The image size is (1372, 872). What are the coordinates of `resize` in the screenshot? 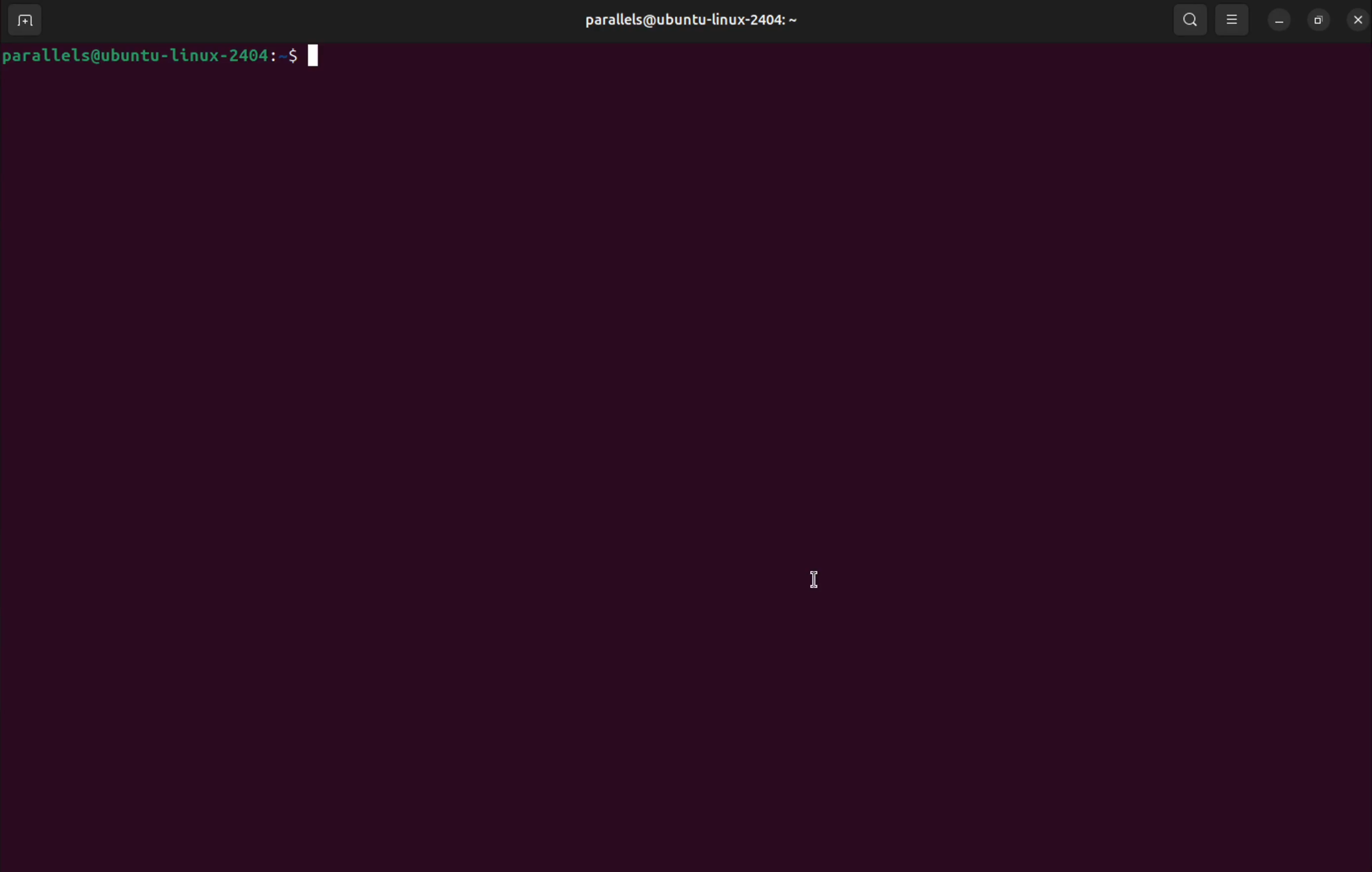 It's located at (1320, 19).